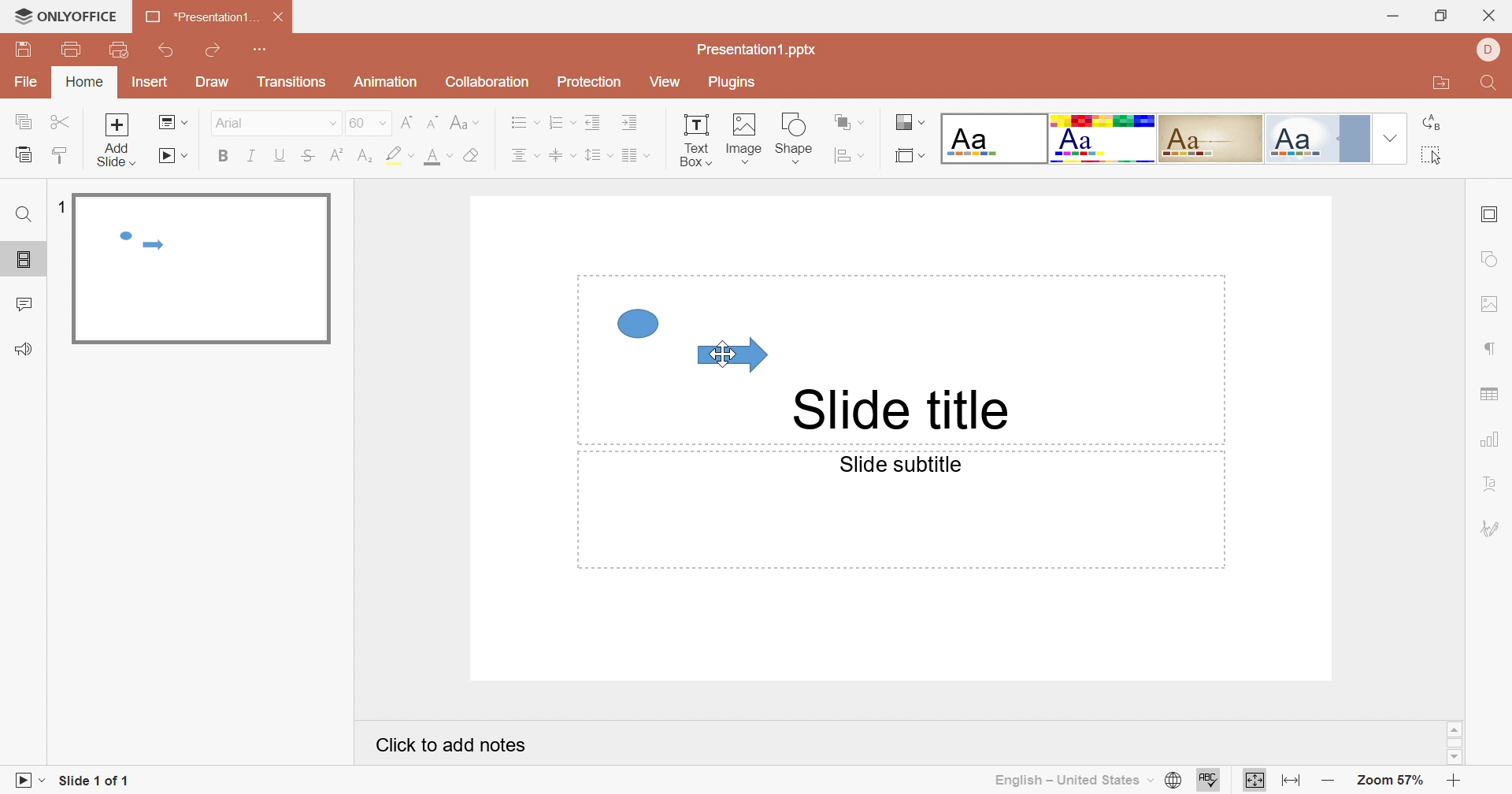 The height and width of the screenshot is (794, 1512). Describe the element at coordinates (27, 53) in the screenshot. I see `Save` at that location.